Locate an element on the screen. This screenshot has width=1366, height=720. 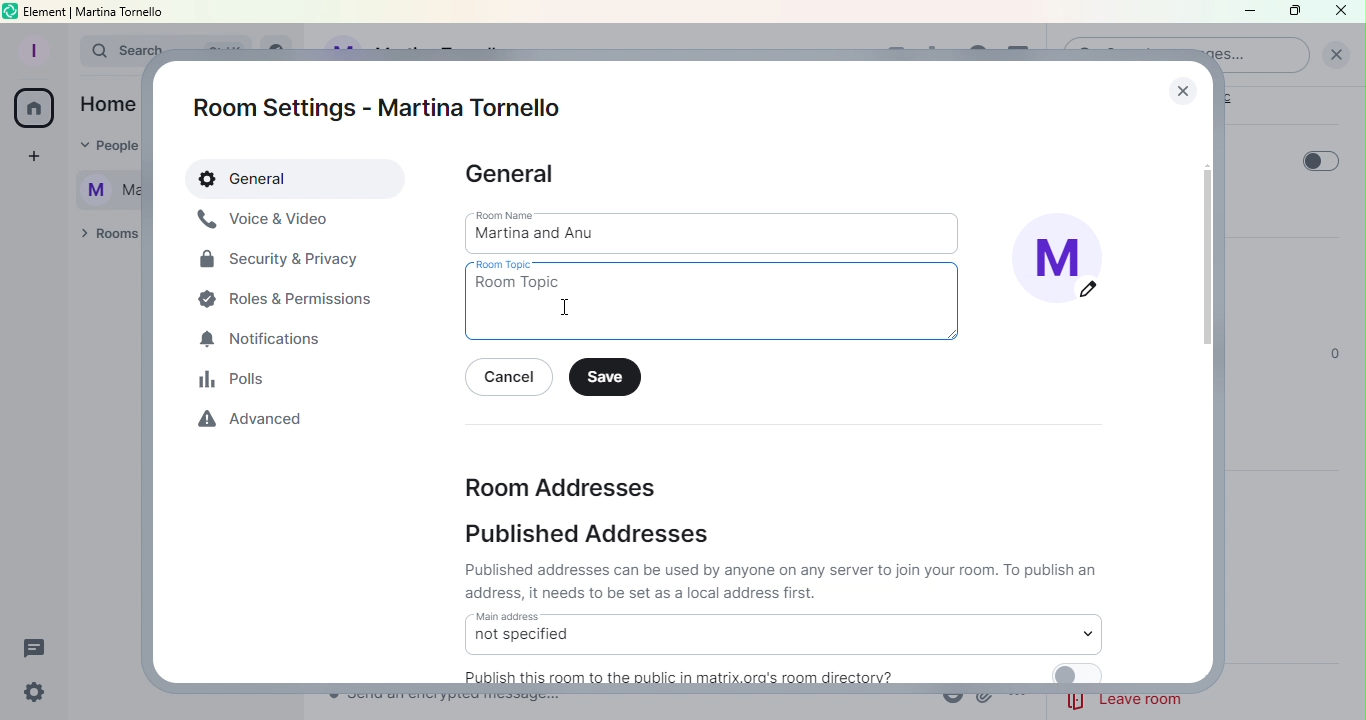
People is located at coordinates (102, 147).